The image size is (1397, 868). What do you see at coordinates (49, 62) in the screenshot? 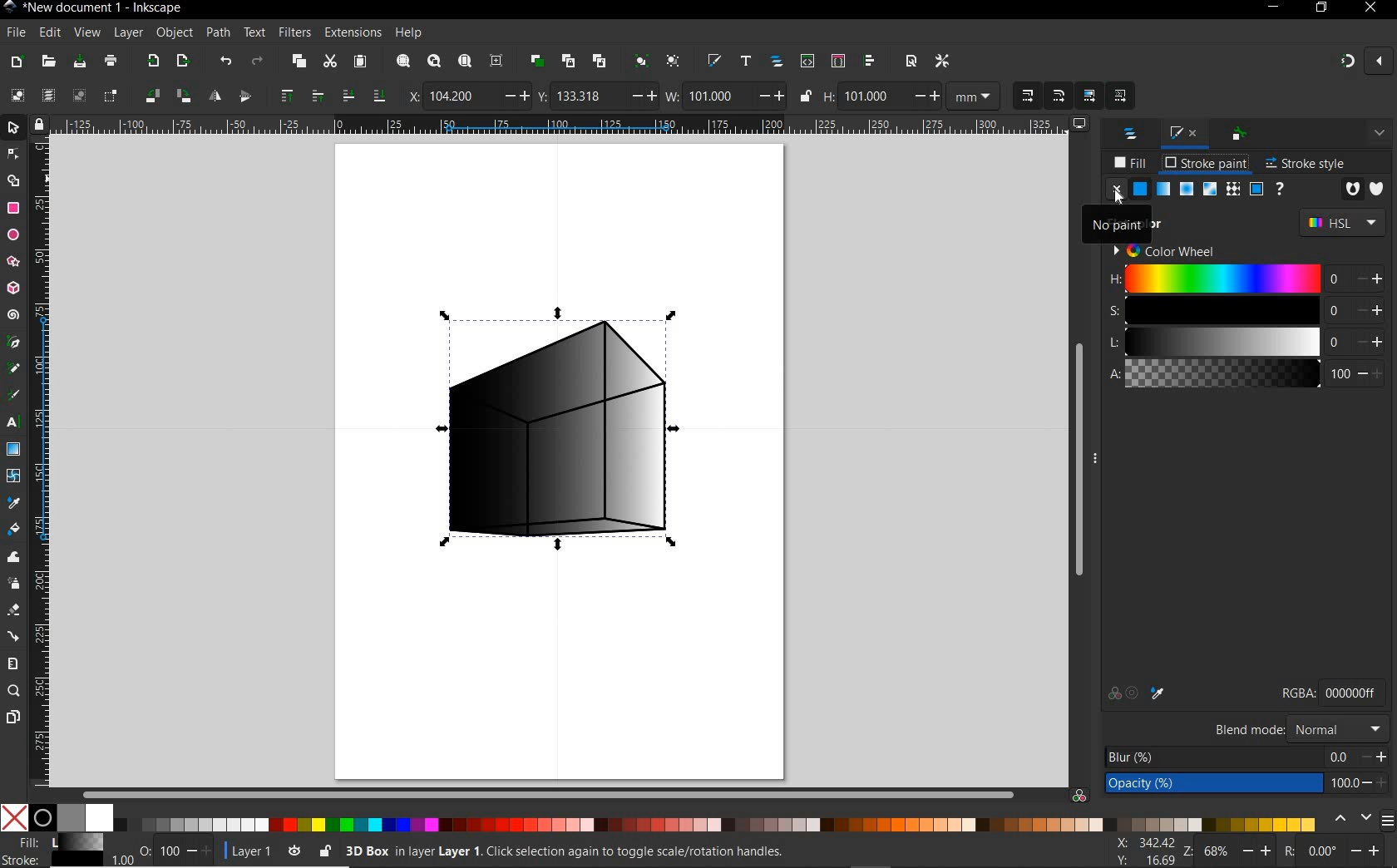
I see `OPEN` at bounding box center [49, 62].